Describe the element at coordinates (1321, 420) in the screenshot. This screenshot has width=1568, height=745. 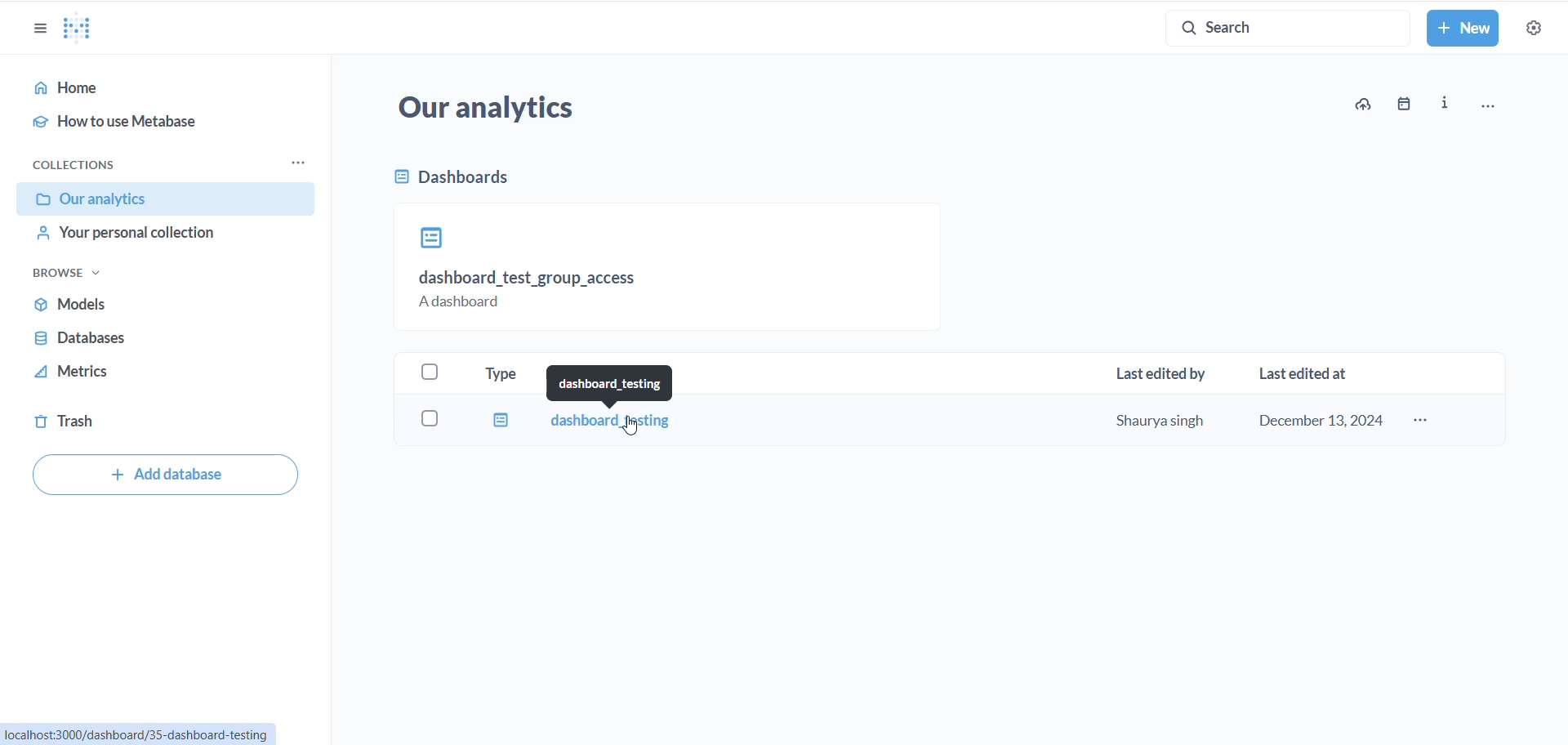
I see `December 13,2024` at that location.